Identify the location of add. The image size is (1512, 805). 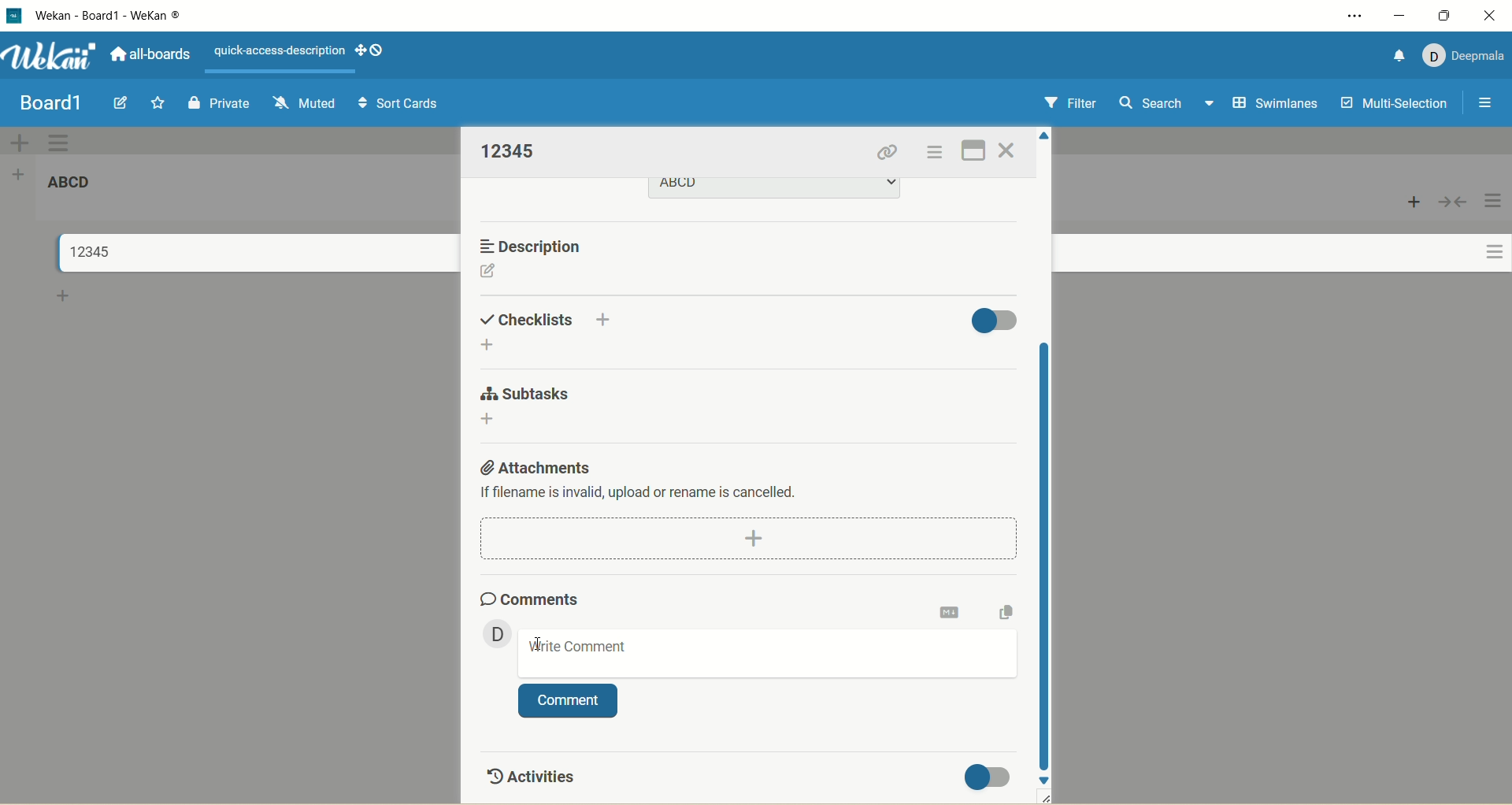
(606, 317).